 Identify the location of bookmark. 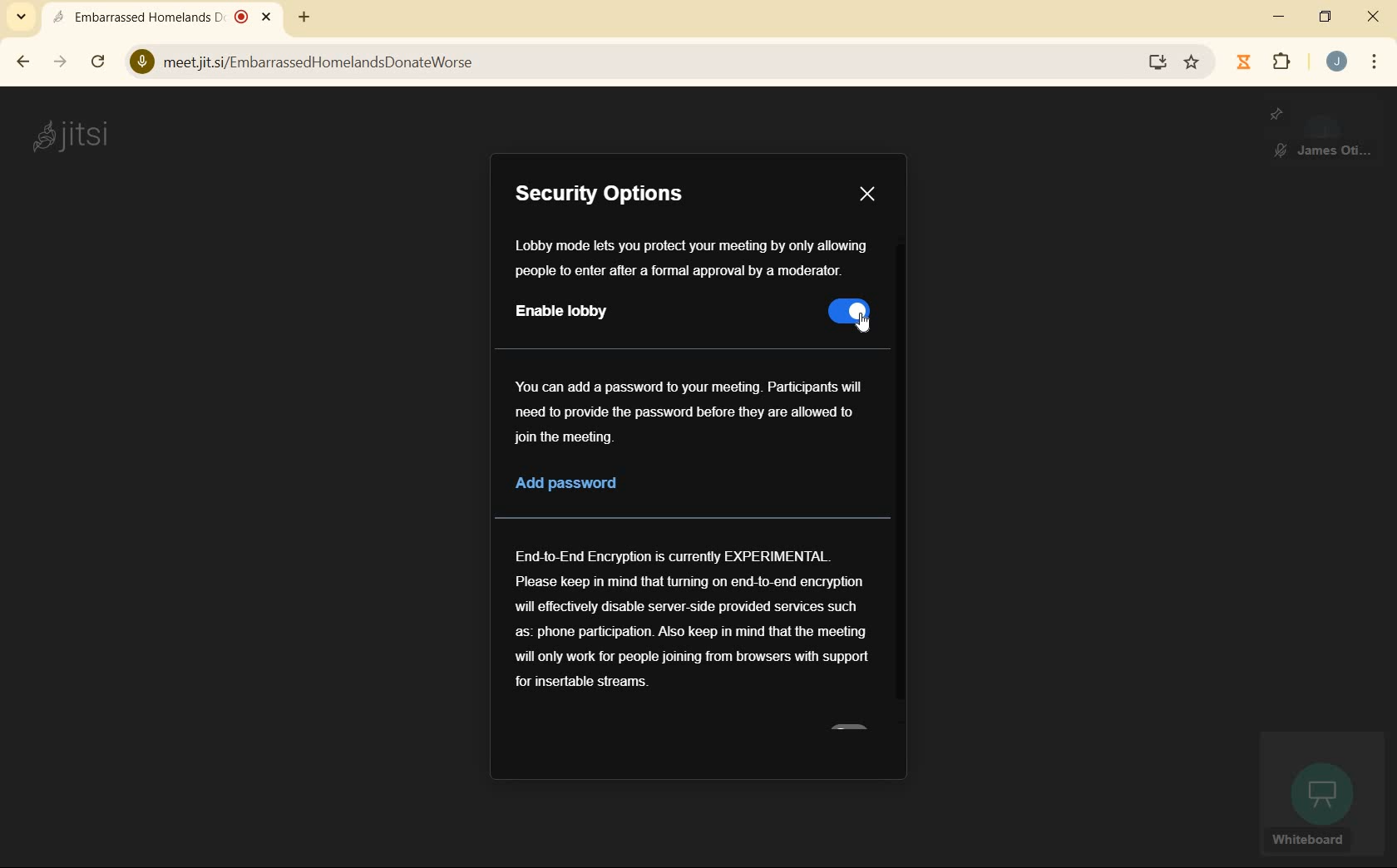
(1192, 64).